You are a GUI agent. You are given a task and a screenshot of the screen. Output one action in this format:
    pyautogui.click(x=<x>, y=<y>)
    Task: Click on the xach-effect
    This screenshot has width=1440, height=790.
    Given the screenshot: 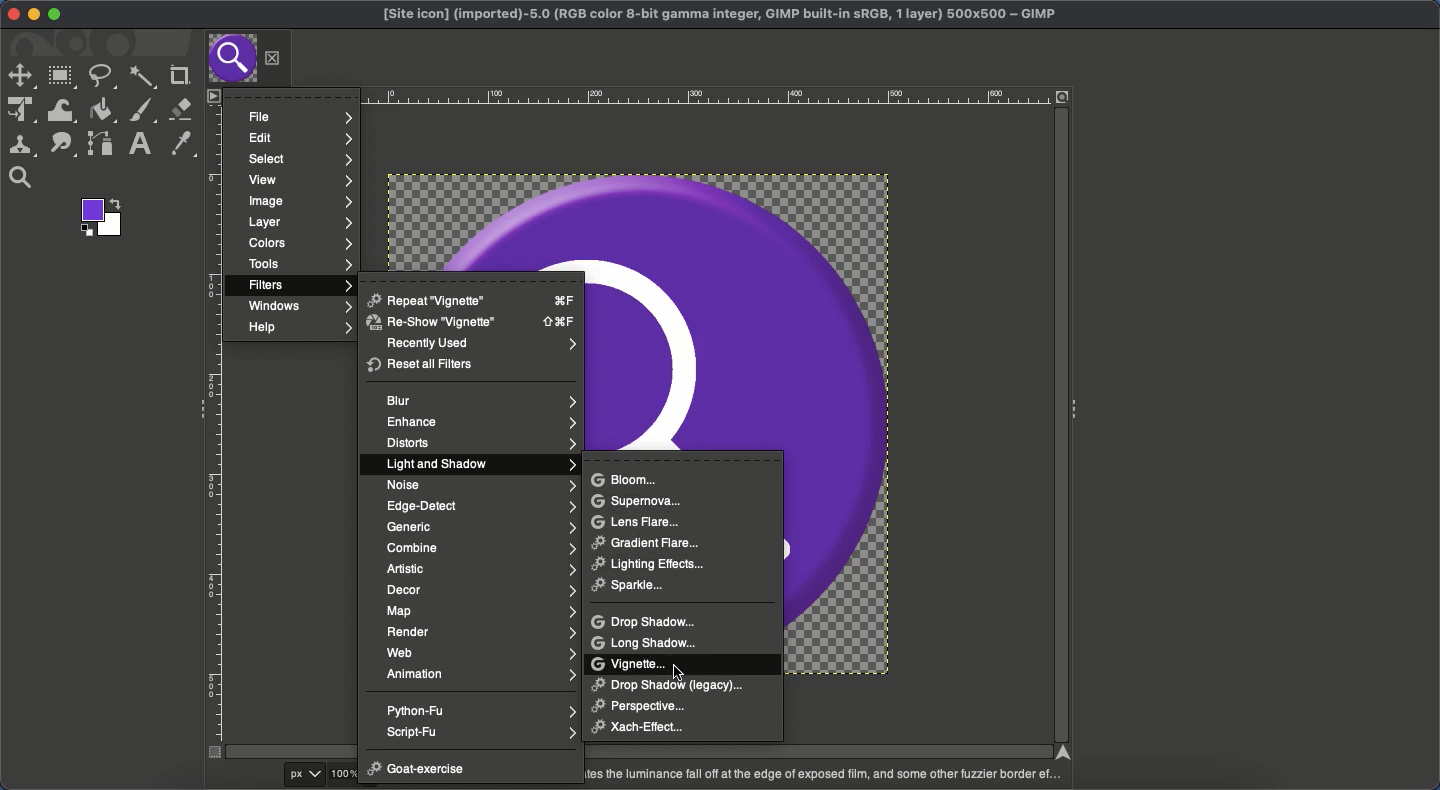 What is the action you would take?
    pyautogui.click(x=646, y=727)
    